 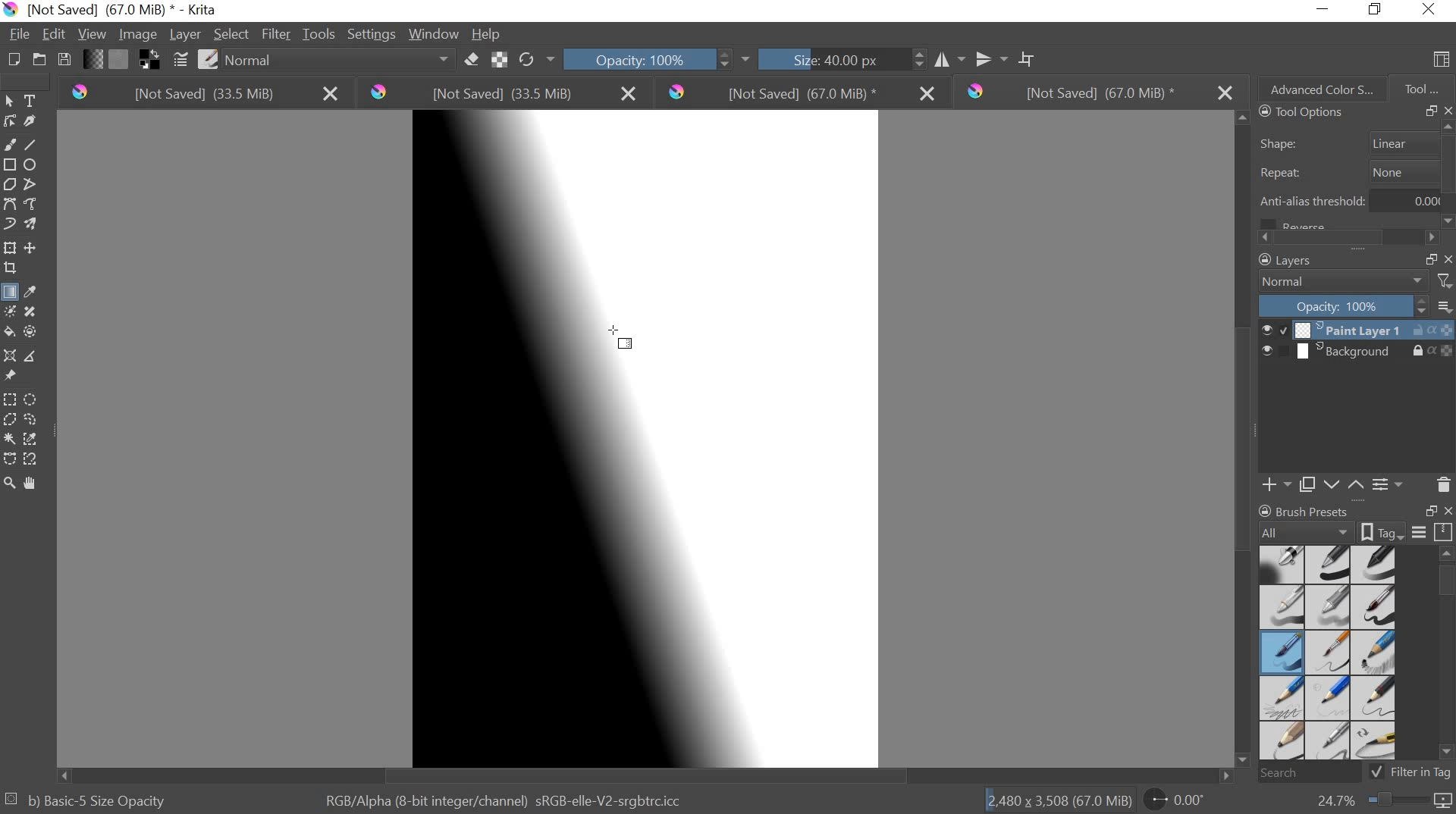 What do you see at coordinates (1447, 258) in the screenshot?
I see `CLOSE` at bounding box center [1447, 258].